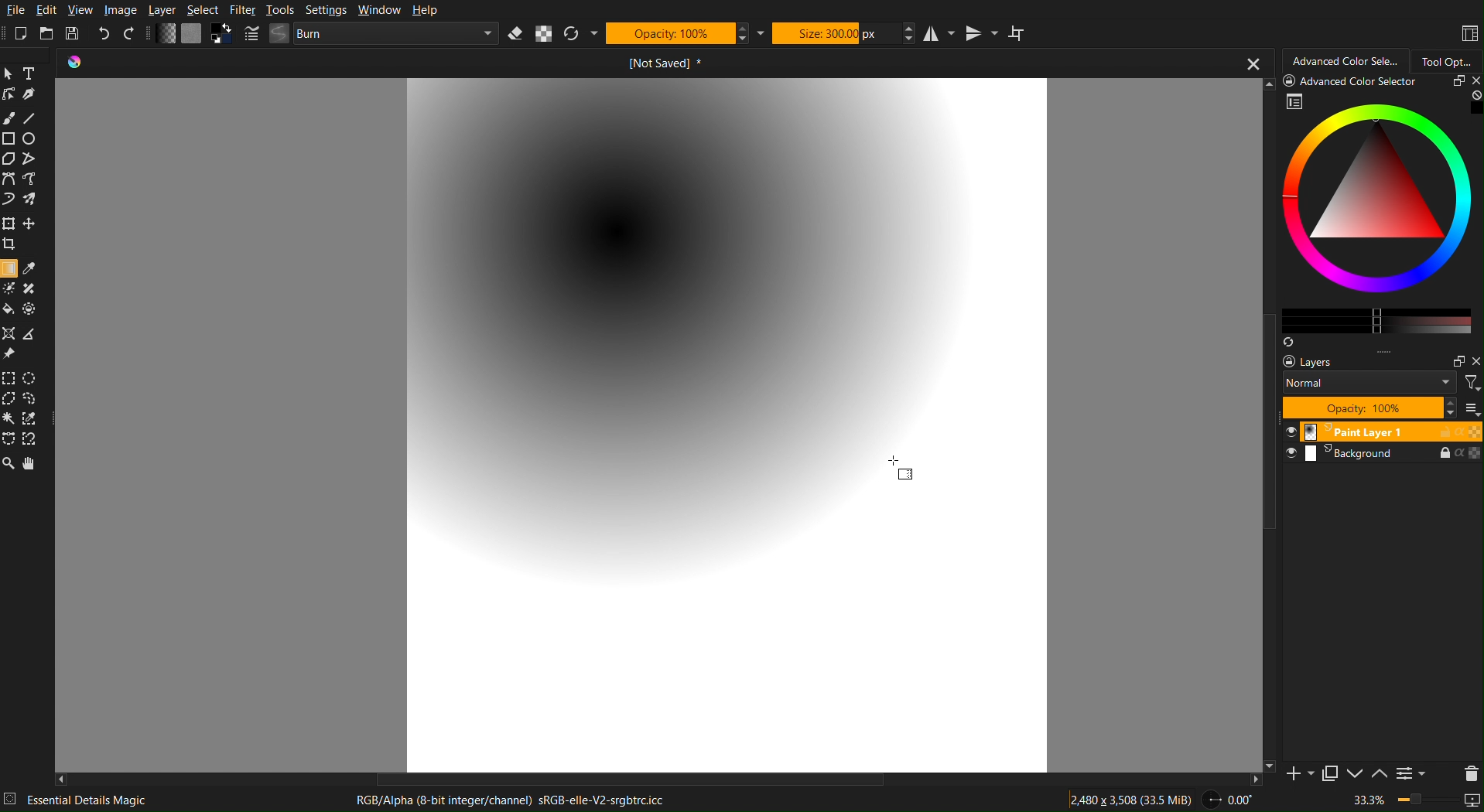 This screenshot has width=1484, height=812. I want to click on Current document, so click(661, 64).